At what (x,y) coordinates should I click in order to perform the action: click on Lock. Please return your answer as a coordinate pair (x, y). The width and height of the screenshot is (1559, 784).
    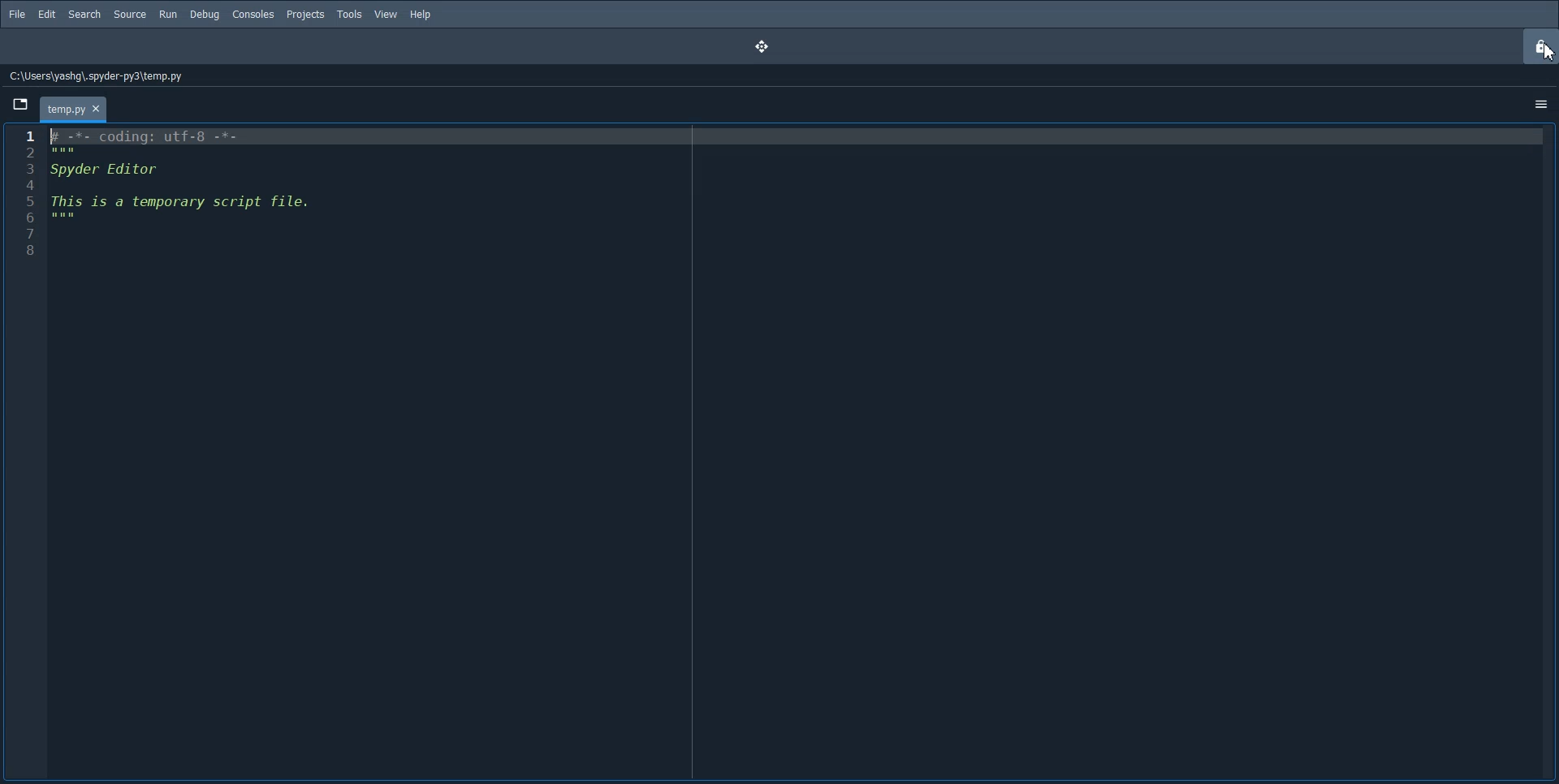
    Looking at the image, I should click on (1540, 47).